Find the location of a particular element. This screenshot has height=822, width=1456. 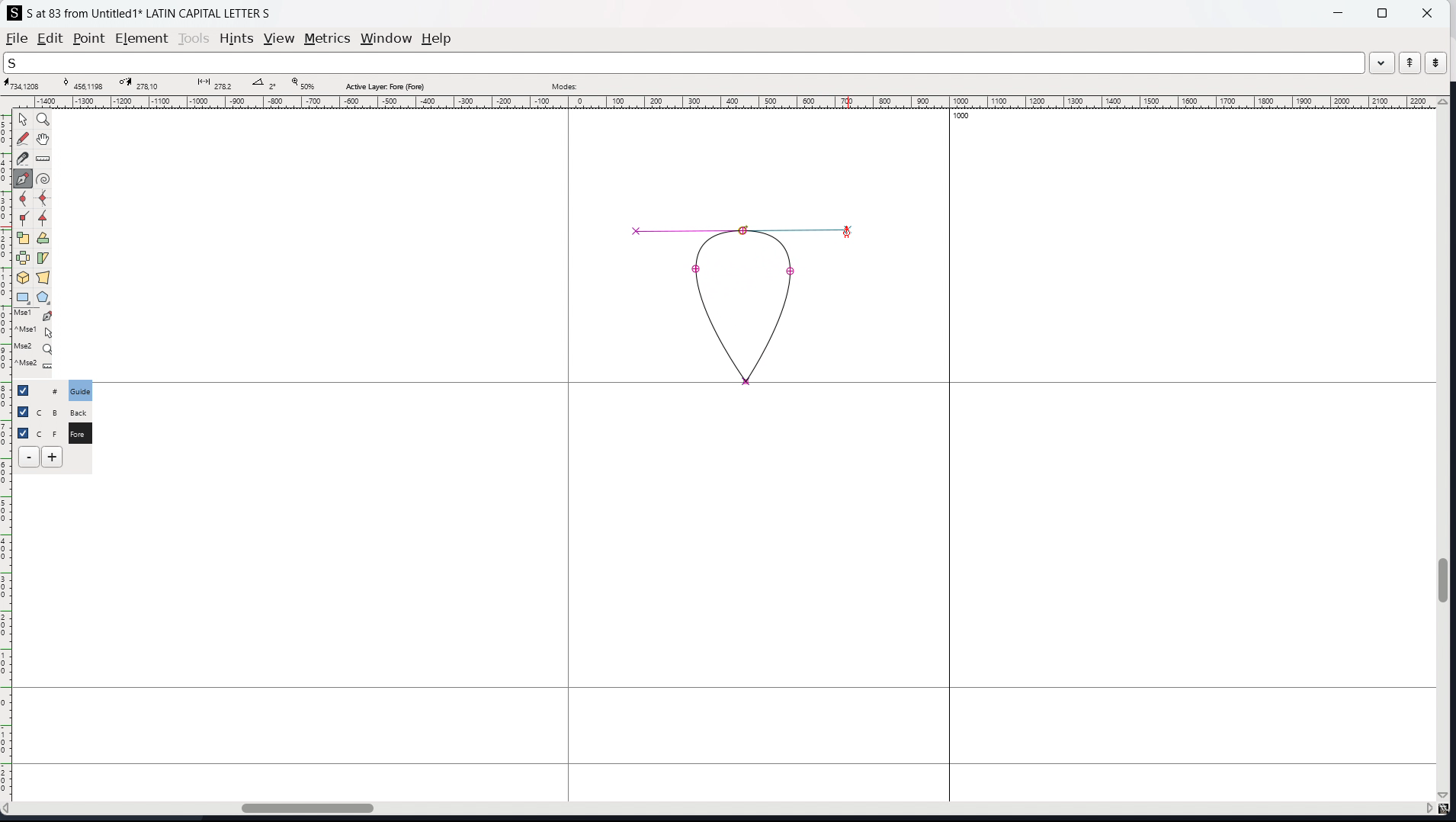

vertical scrollbar is located at coordinates (1446, 450).